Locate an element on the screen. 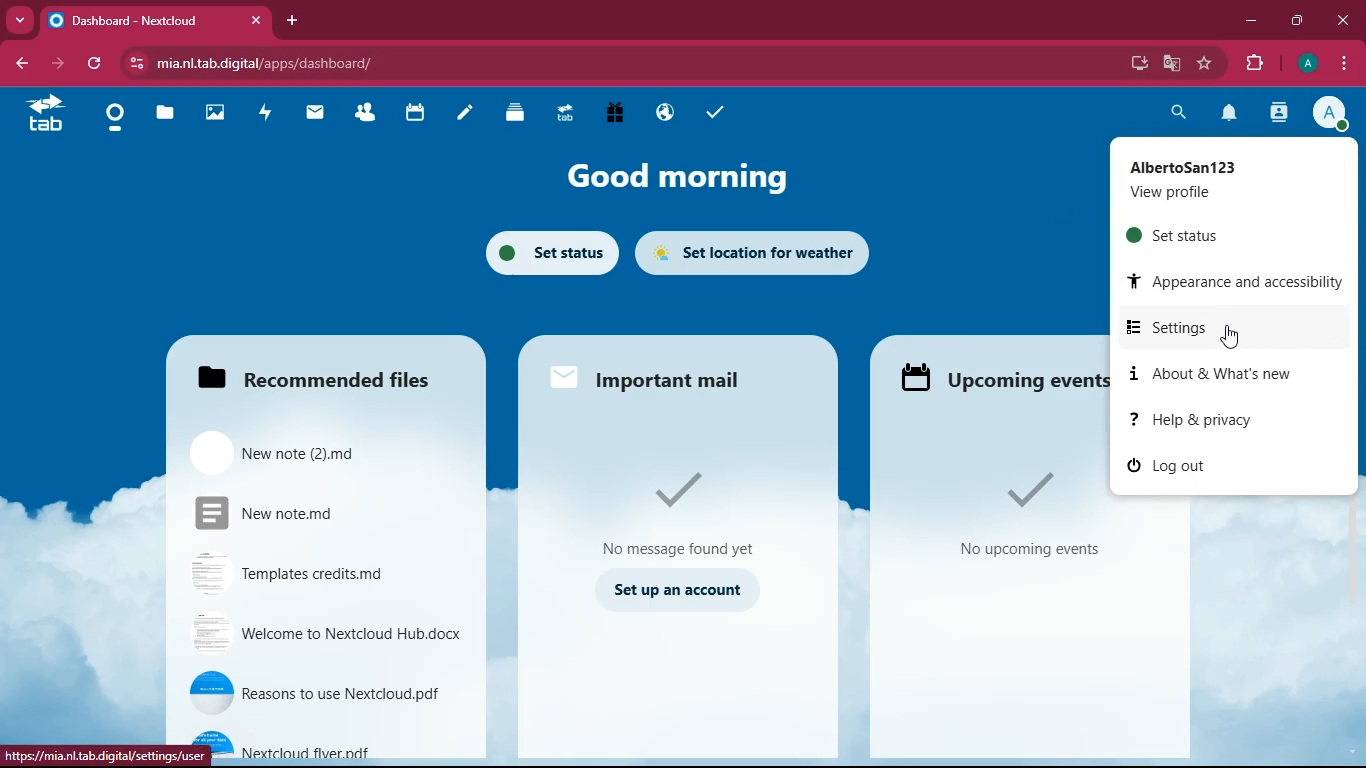 The height and width of the screenshot is (768, 1366). profile is located at coordinates (1330, 114).